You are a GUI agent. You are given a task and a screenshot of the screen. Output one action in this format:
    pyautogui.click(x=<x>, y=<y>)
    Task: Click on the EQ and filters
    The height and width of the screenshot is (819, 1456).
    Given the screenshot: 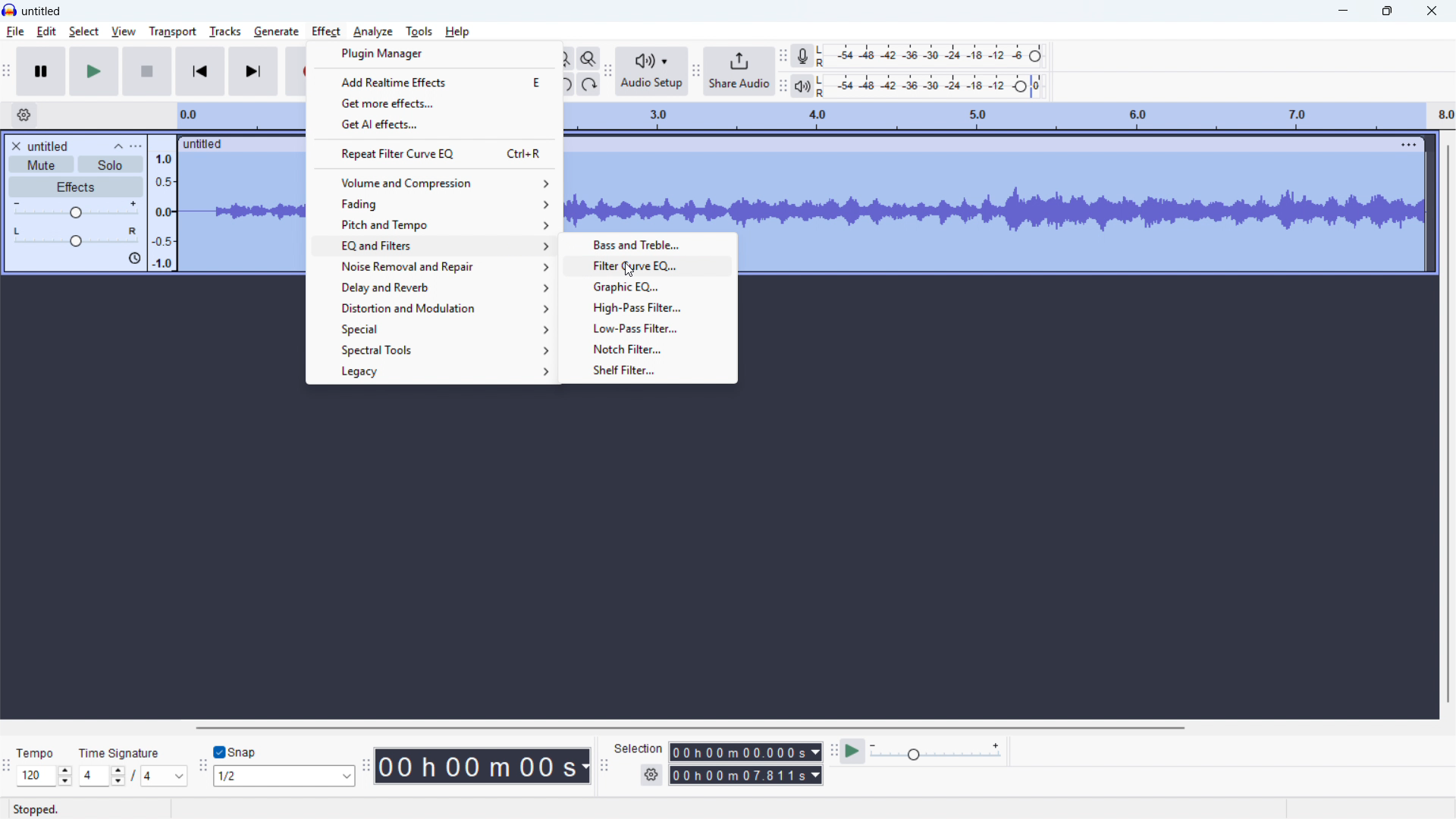 What is the action you would take?
    pyautogui.click(x=432, y=245)
    